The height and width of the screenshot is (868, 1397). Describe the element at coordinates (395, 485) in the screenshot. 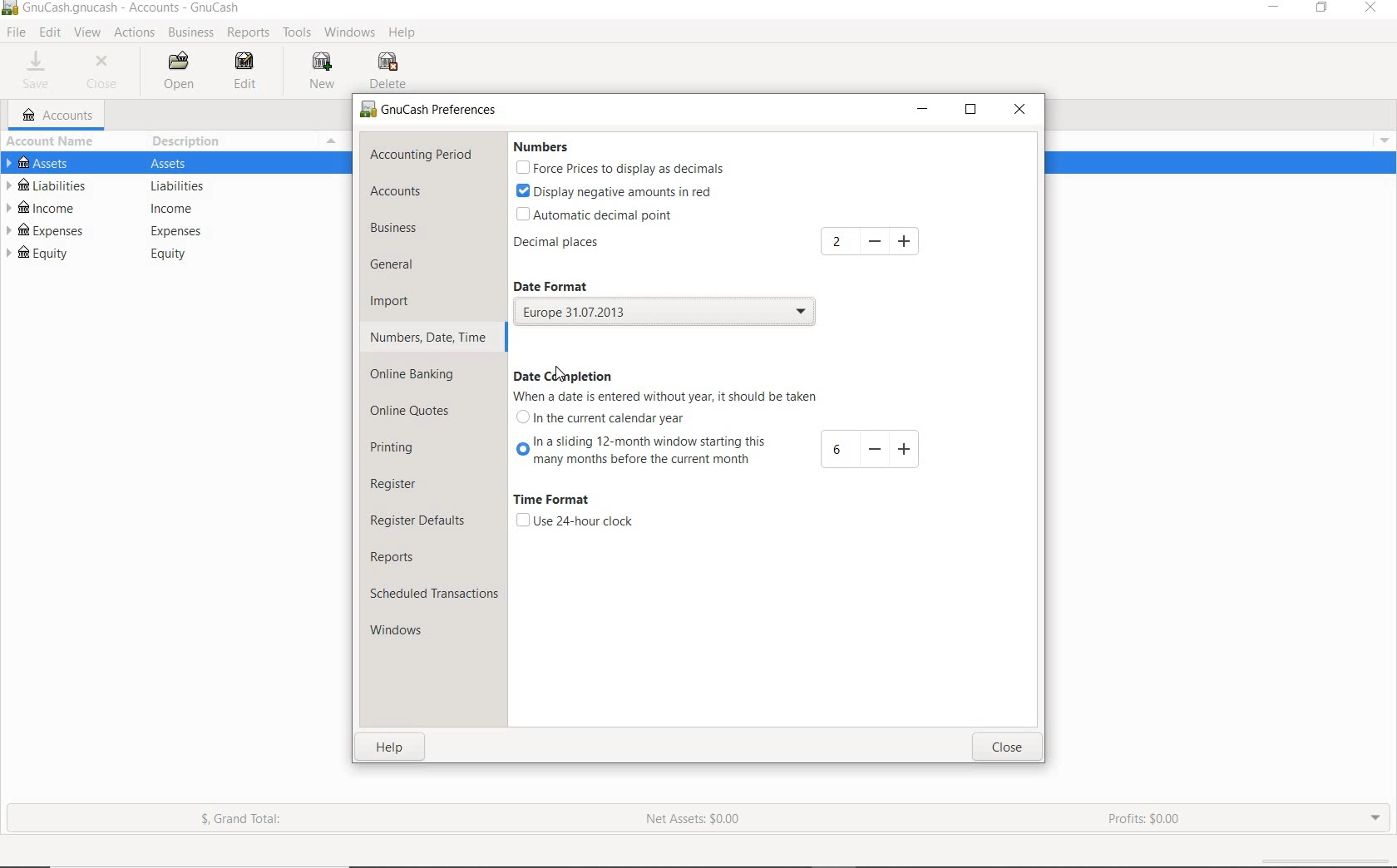

I see `register` at that location.